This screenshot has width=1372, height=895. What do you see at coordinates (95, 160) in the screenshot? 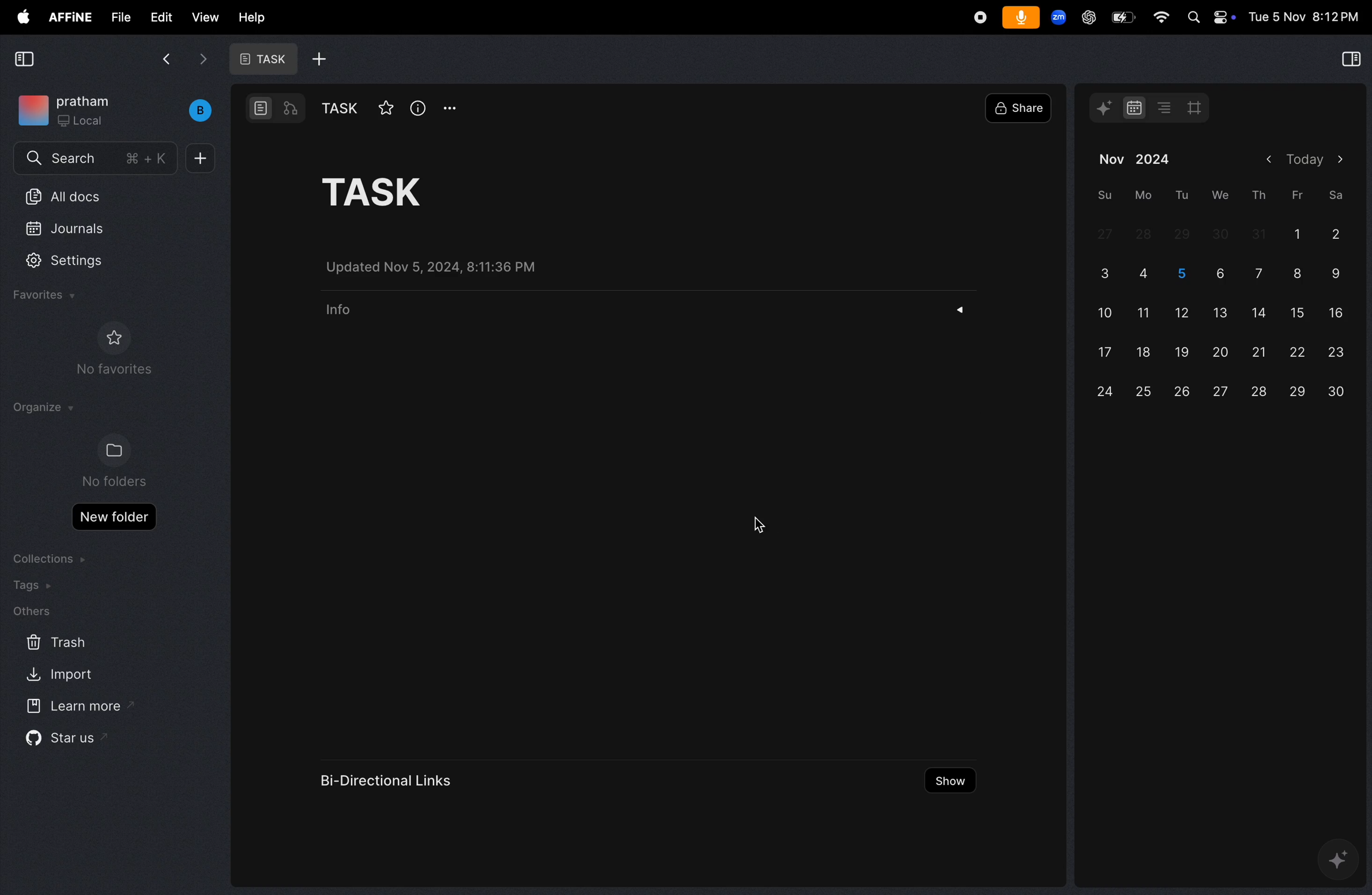
I see `search` at bounding box center [95, 160].